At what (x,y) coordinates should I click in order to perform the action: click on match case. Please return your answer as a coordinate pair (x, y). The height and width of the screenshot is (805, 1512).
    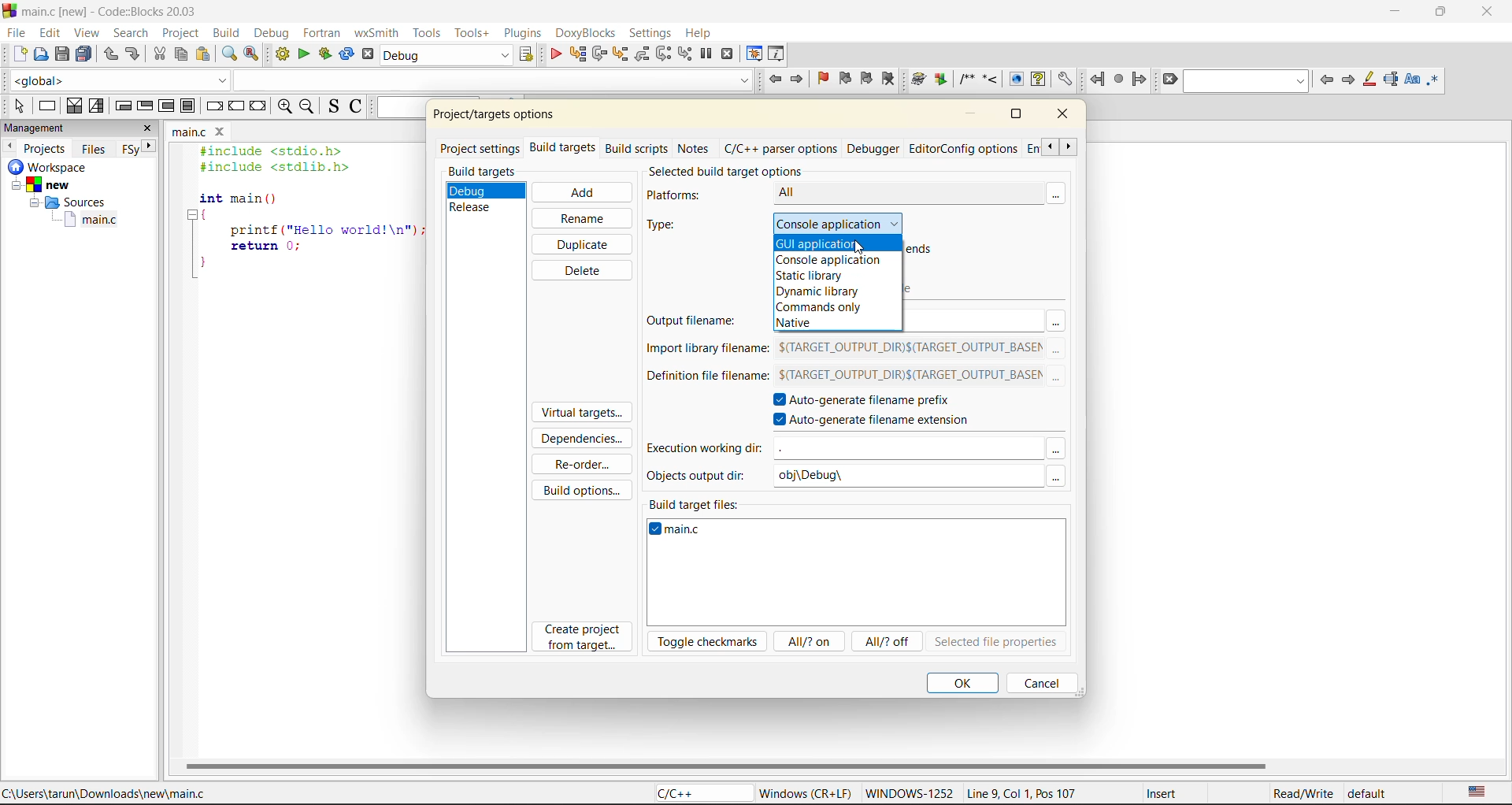
    Looking at the image, I should click on (1412, 81).